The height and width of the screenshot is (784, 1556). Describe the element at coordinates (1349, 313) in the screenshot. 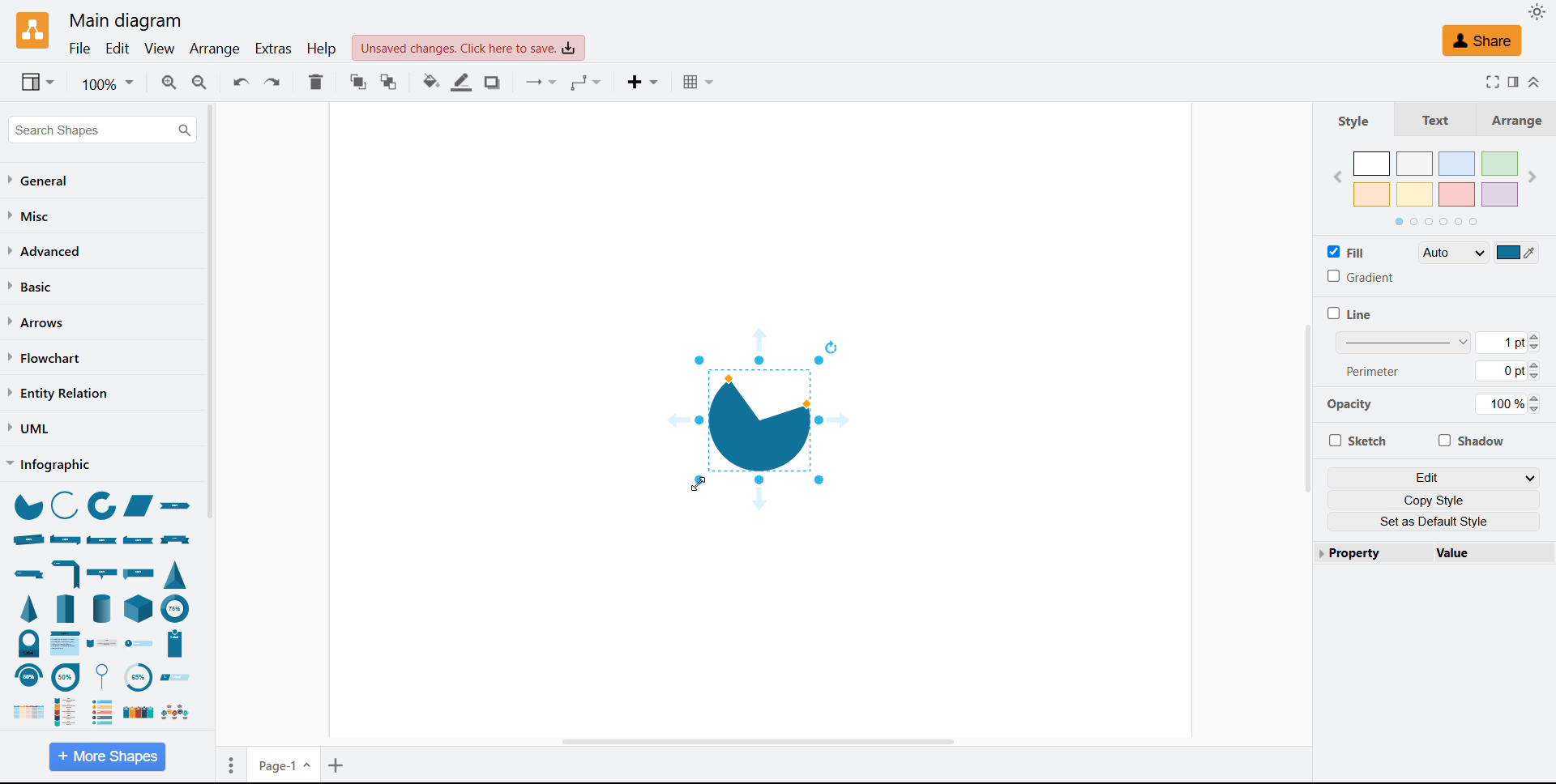

I see `Line ` at that location.